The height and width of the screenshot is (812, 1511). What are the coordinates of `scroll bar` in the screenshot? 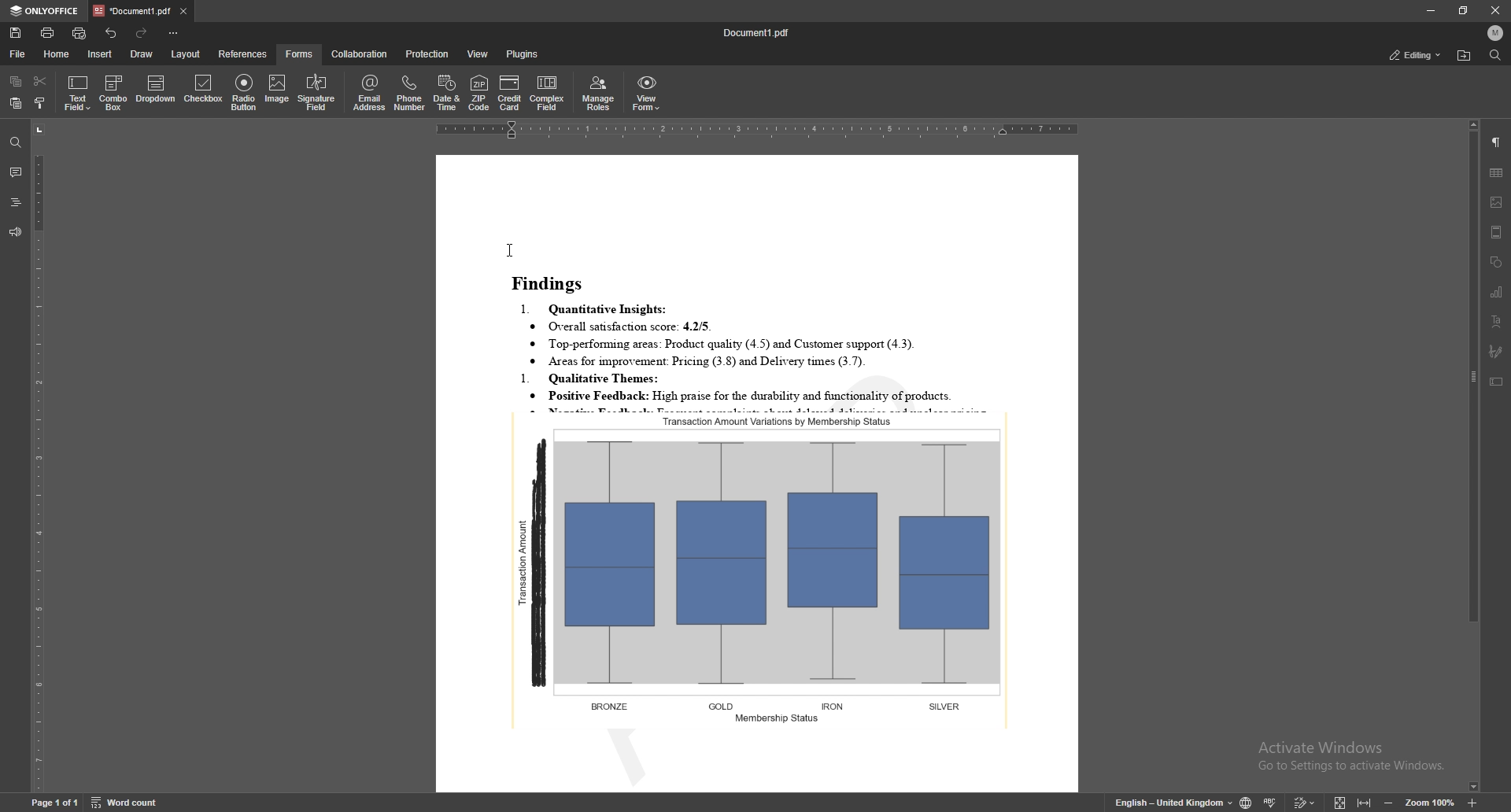 It's located at (1471, 456).